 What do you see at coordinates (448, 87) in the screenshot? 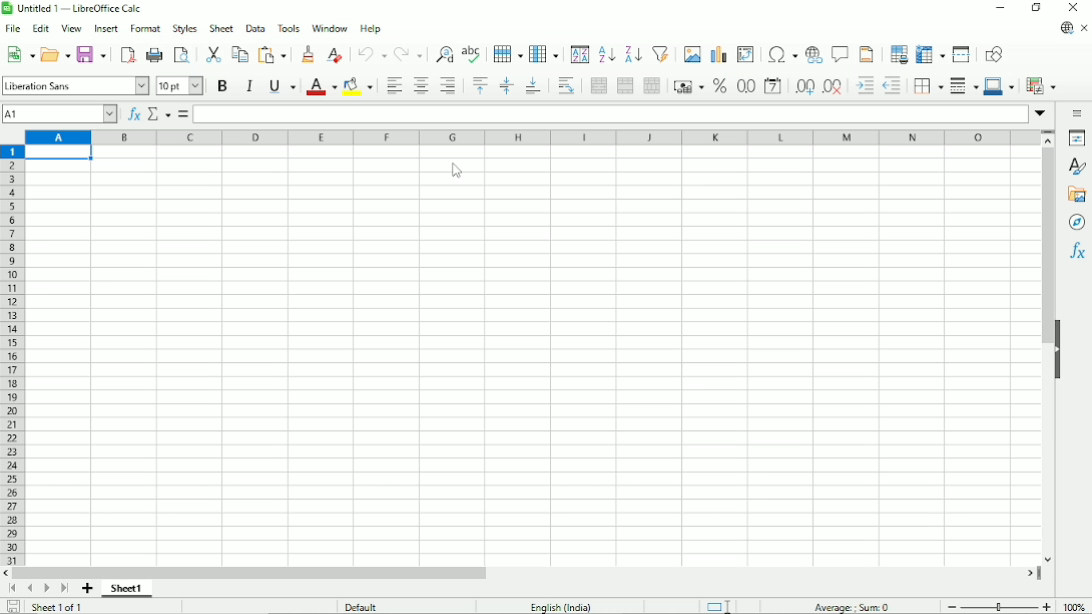
I see `Align right` at bounding box center [448, 87].